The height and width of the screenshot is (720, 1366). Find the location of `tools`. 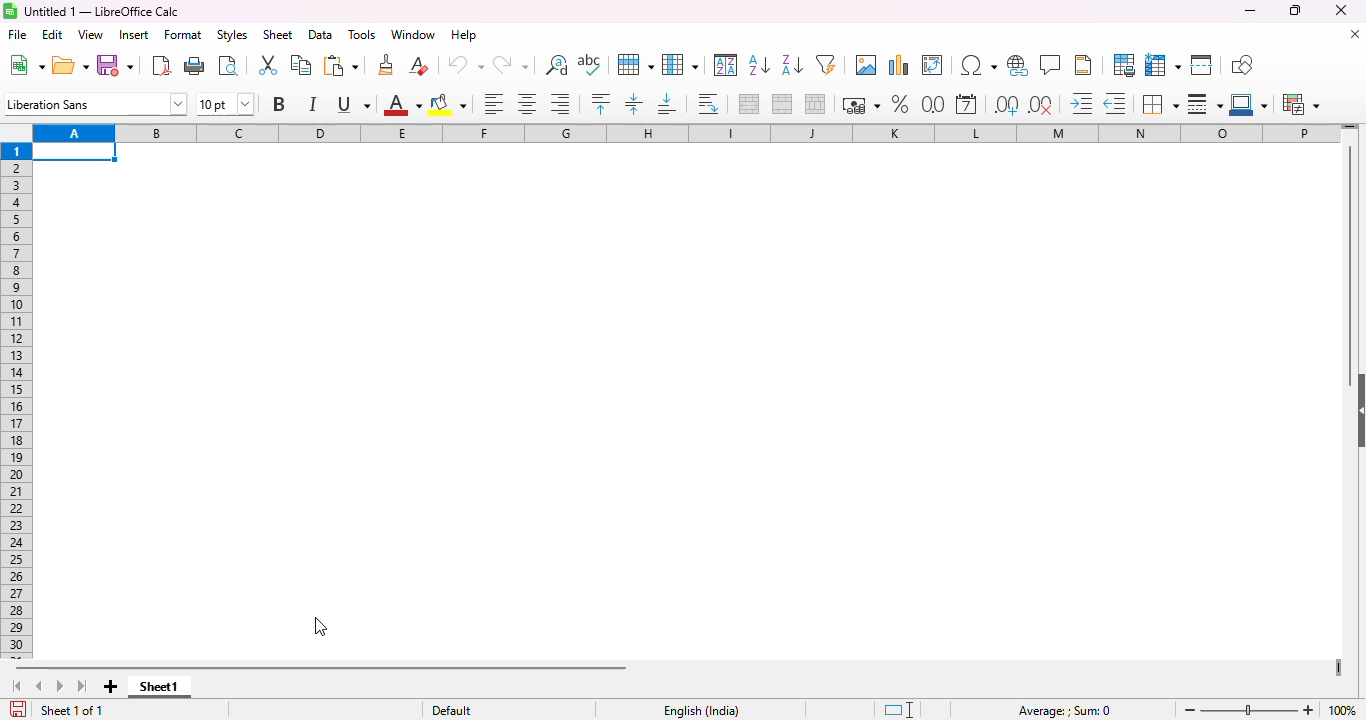

tools is located at coordinates (363, 34).